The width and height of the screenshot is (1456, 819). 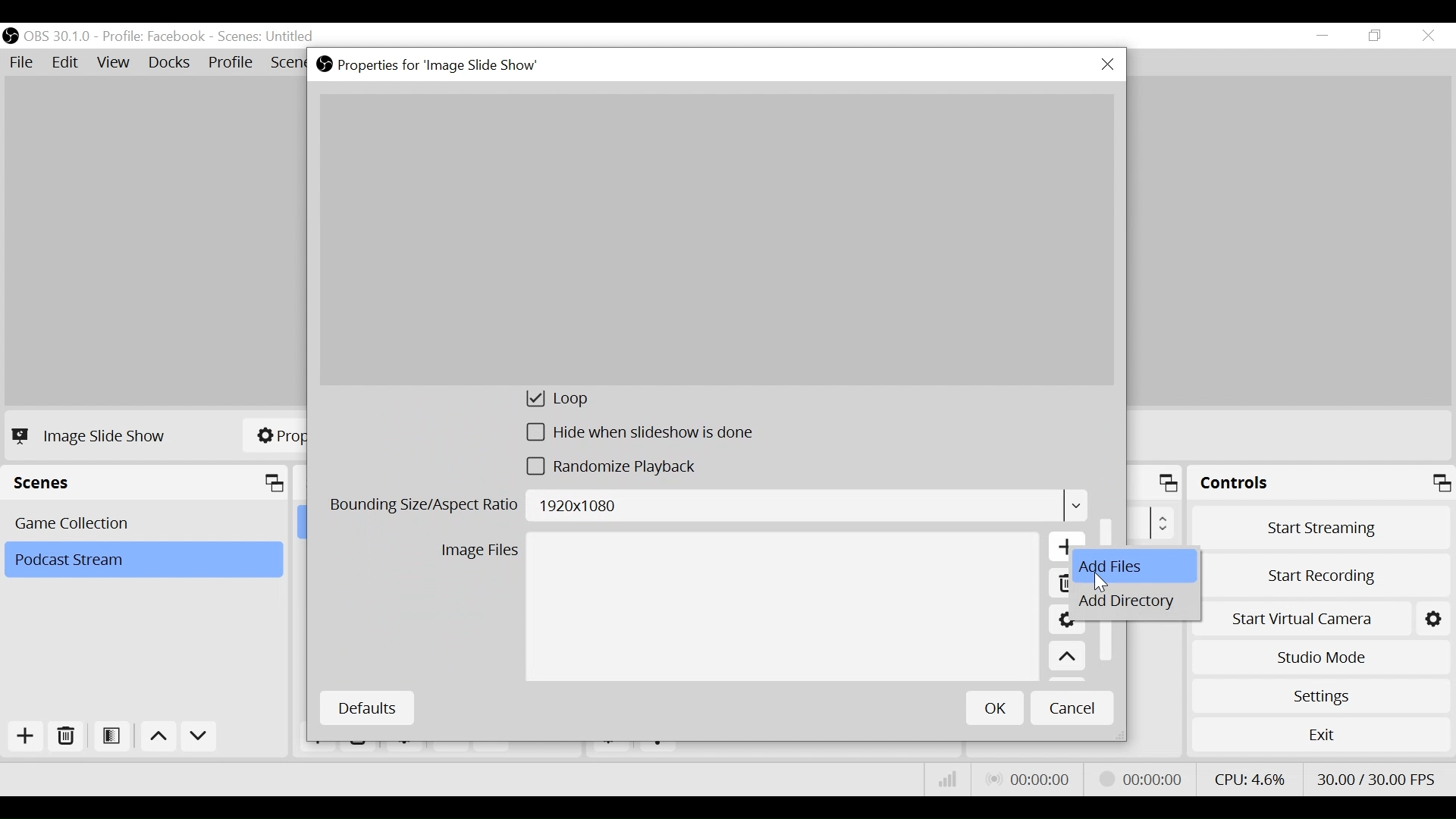 I want to click on Remove, so click(x=67, y=737).